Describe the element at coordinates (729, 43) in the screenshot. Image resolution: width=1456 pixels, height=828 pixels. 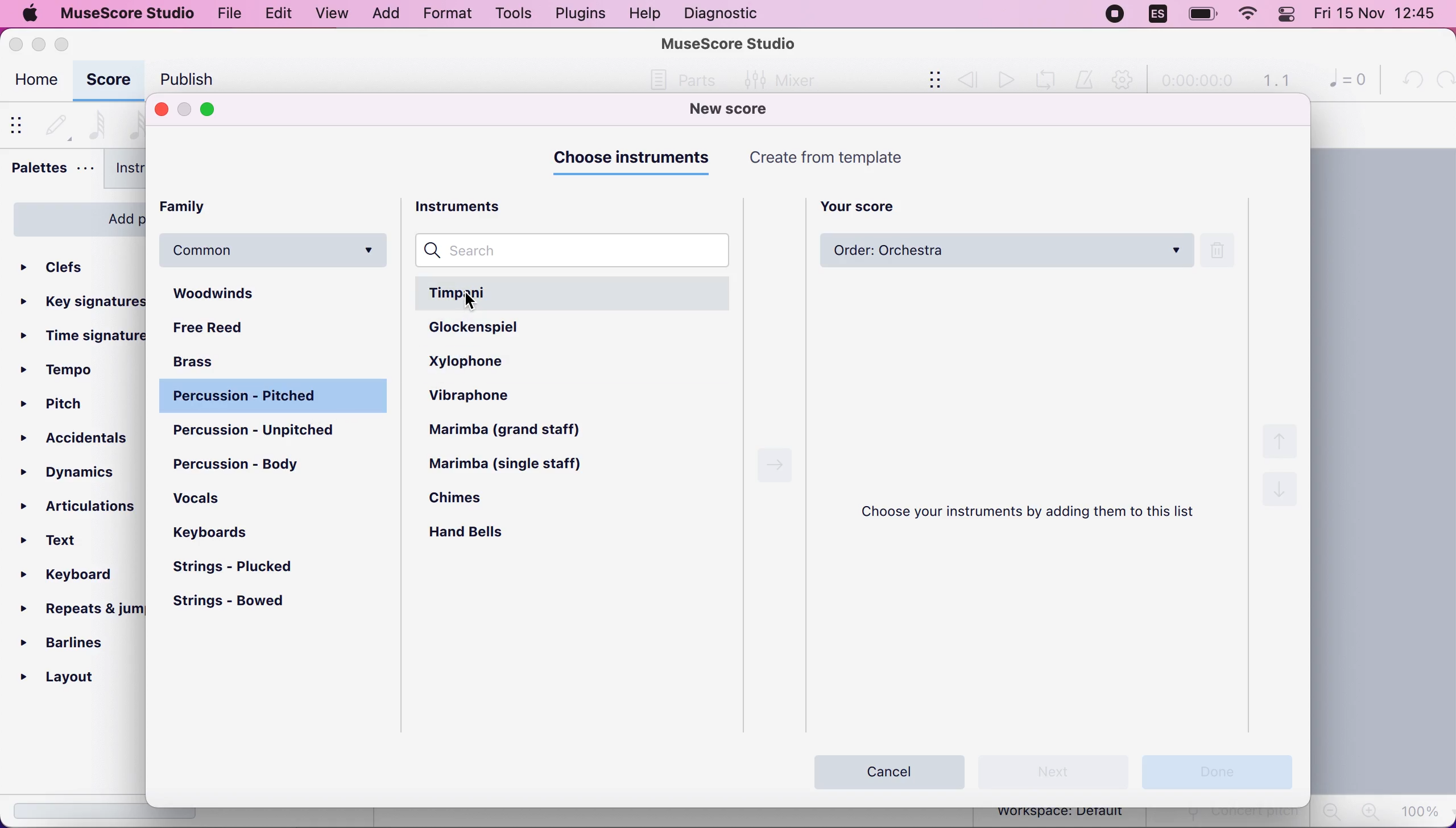
I see `MuseScore Studio` at that location.